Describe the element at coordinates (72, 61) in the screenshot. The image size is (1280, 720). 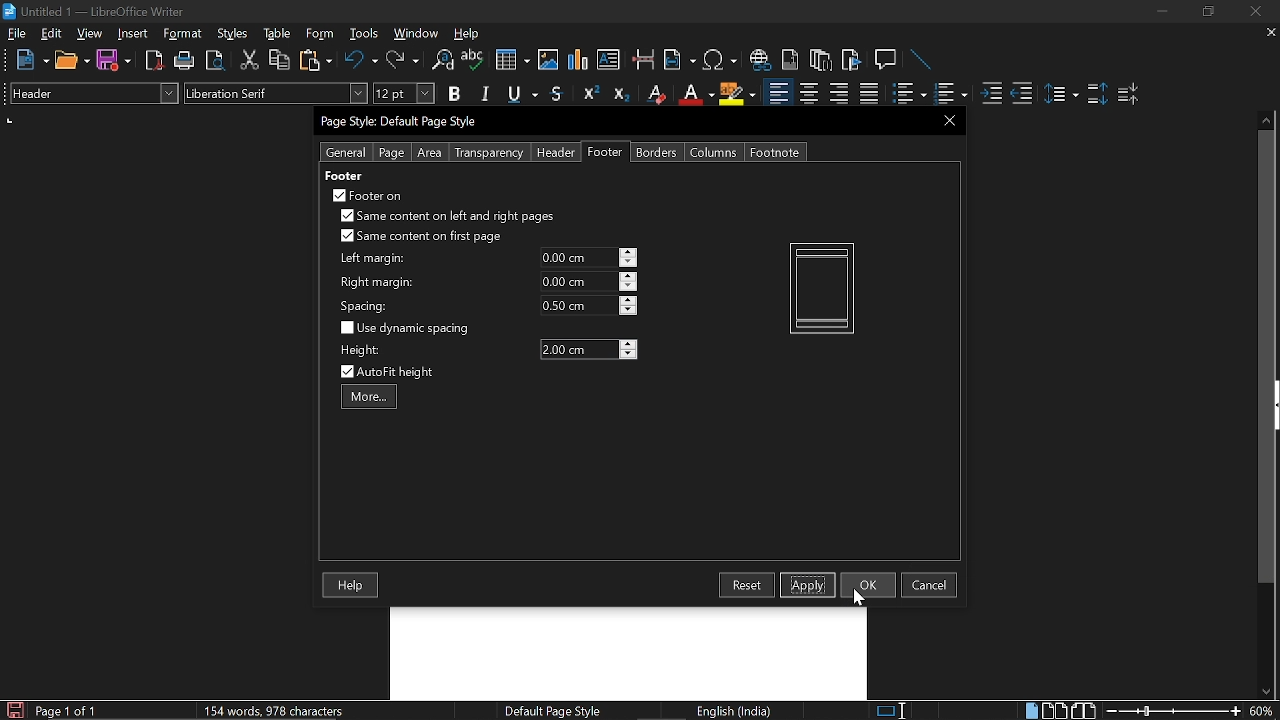
I see `Open` at that location.